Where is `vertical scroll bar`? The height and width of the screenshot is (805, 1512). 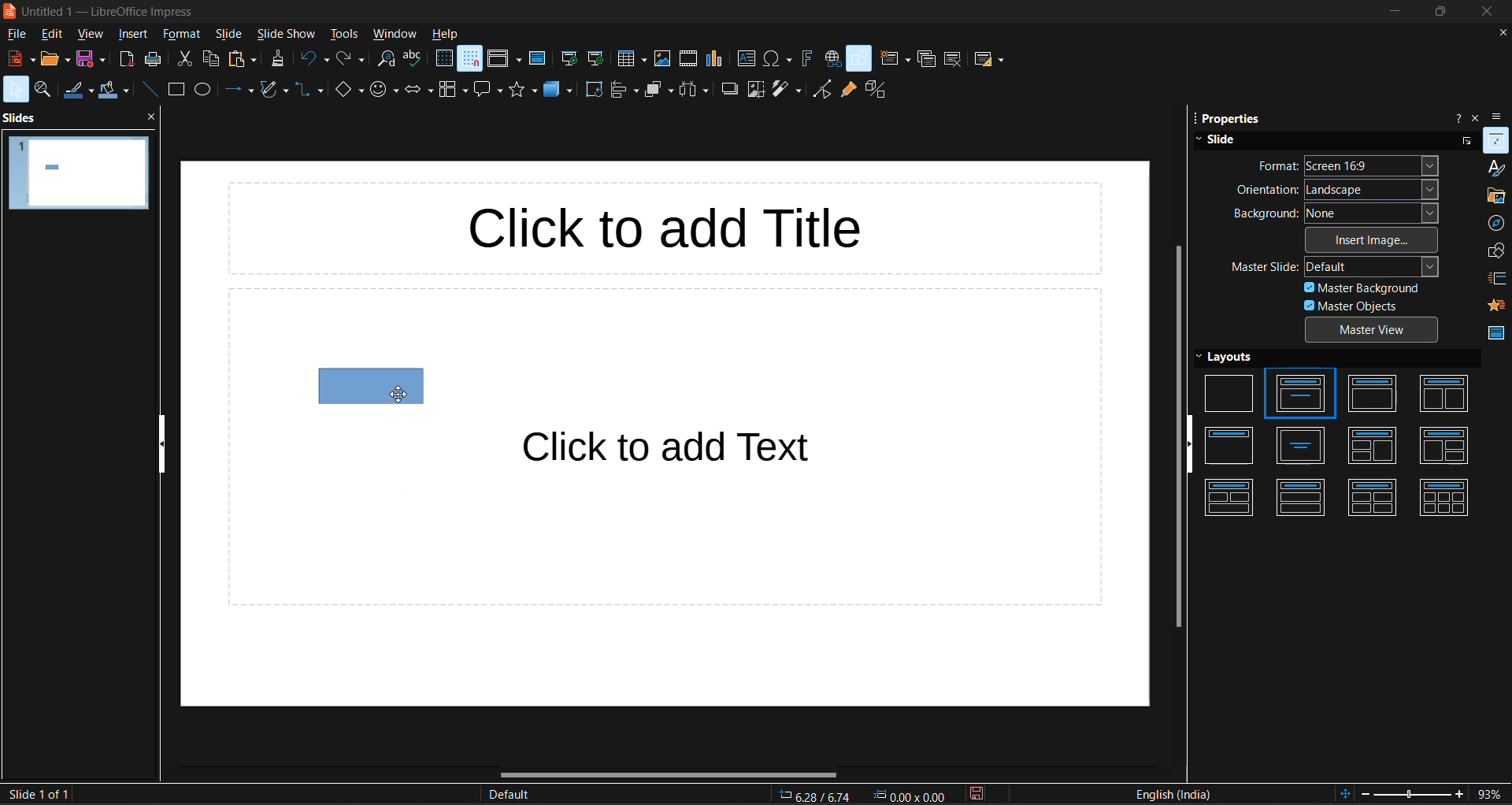
vertical scroll bar is located at coordinates (1174, 438).